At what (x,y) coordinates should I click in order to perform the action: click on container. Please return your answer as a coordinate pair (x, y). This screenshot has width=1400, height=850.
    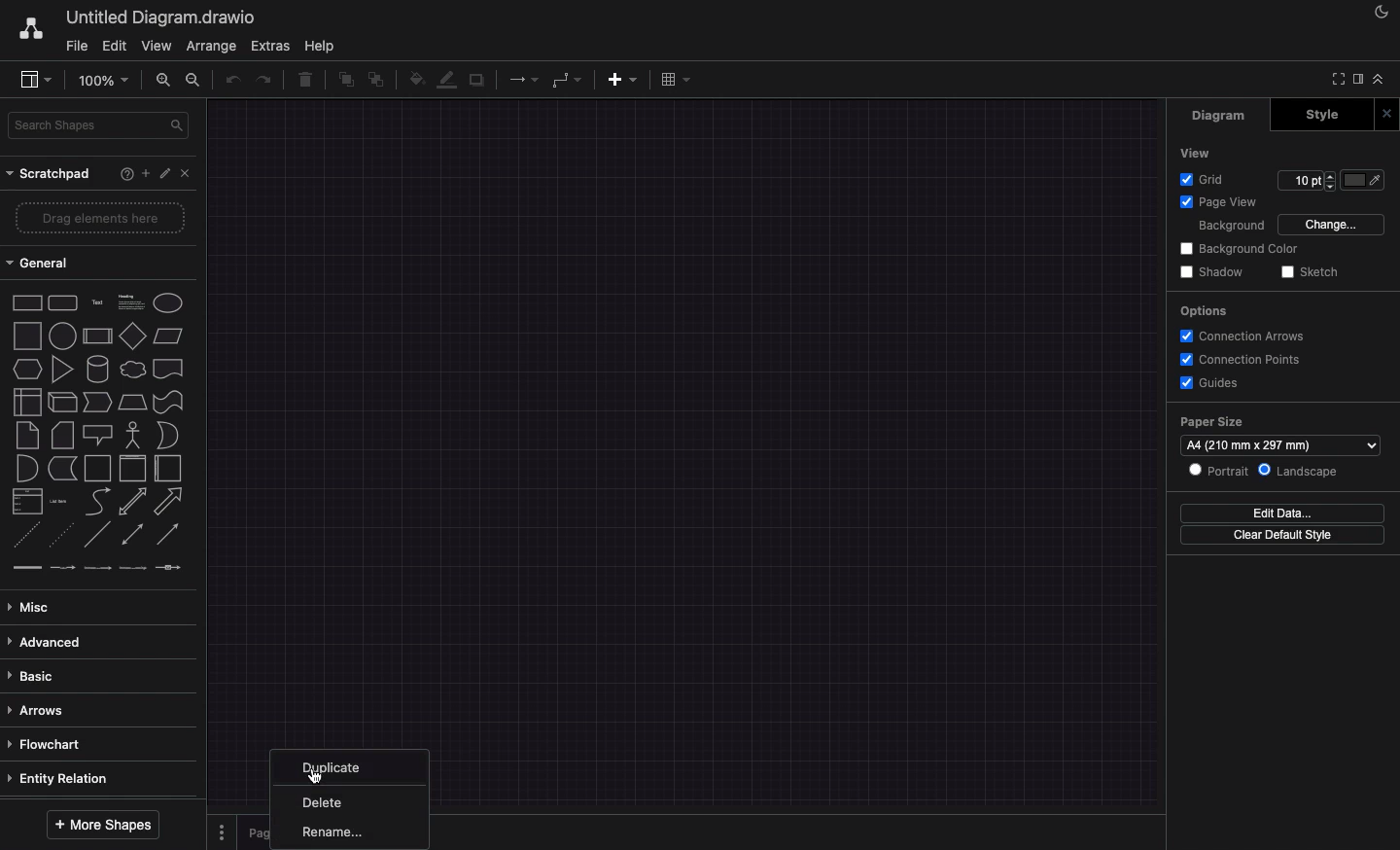
    Looking at the image, I should click on (98, 469).